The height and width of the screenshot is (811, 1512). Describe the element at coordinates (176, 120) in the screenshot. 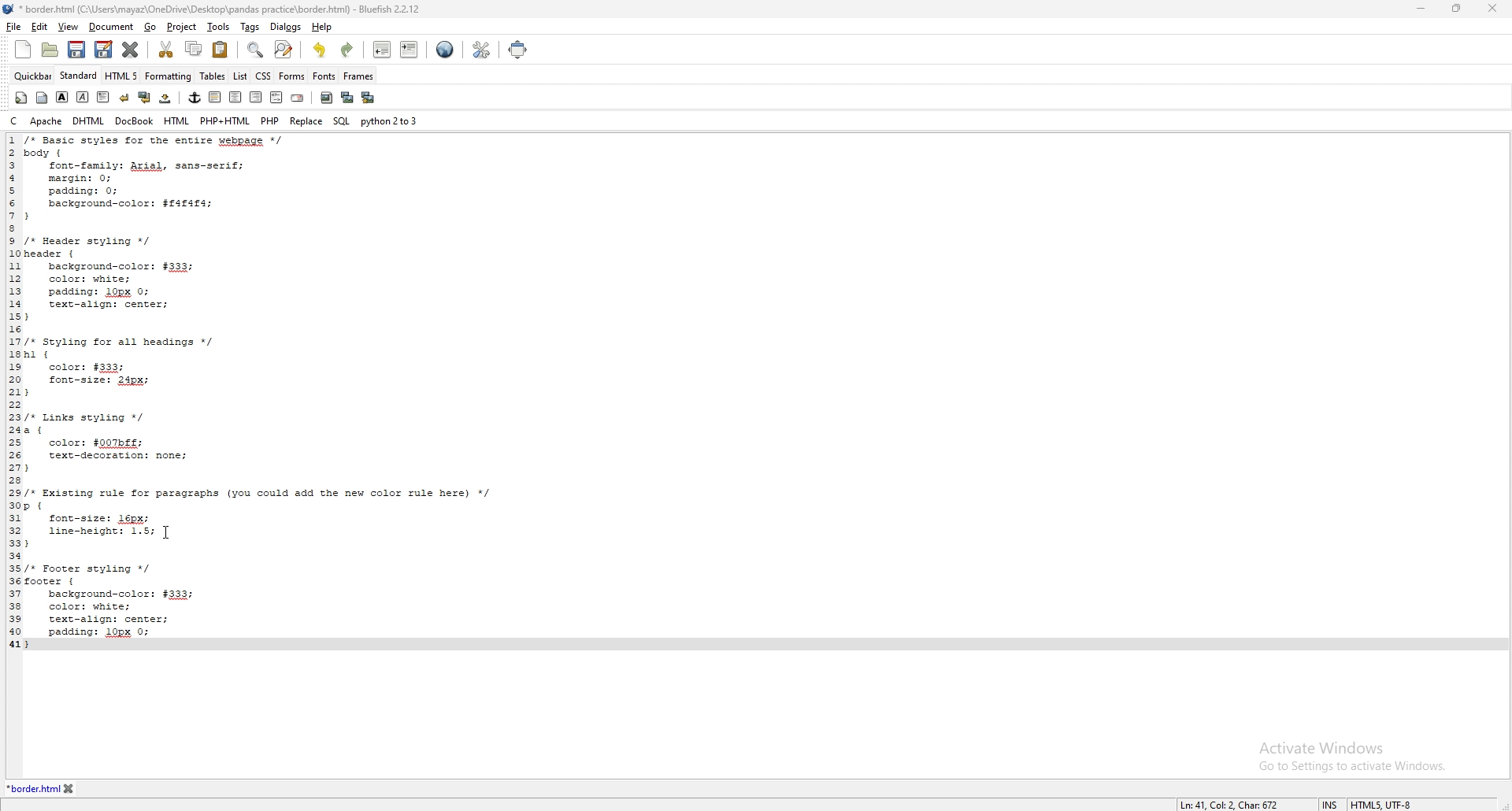

I see `html` at that location.